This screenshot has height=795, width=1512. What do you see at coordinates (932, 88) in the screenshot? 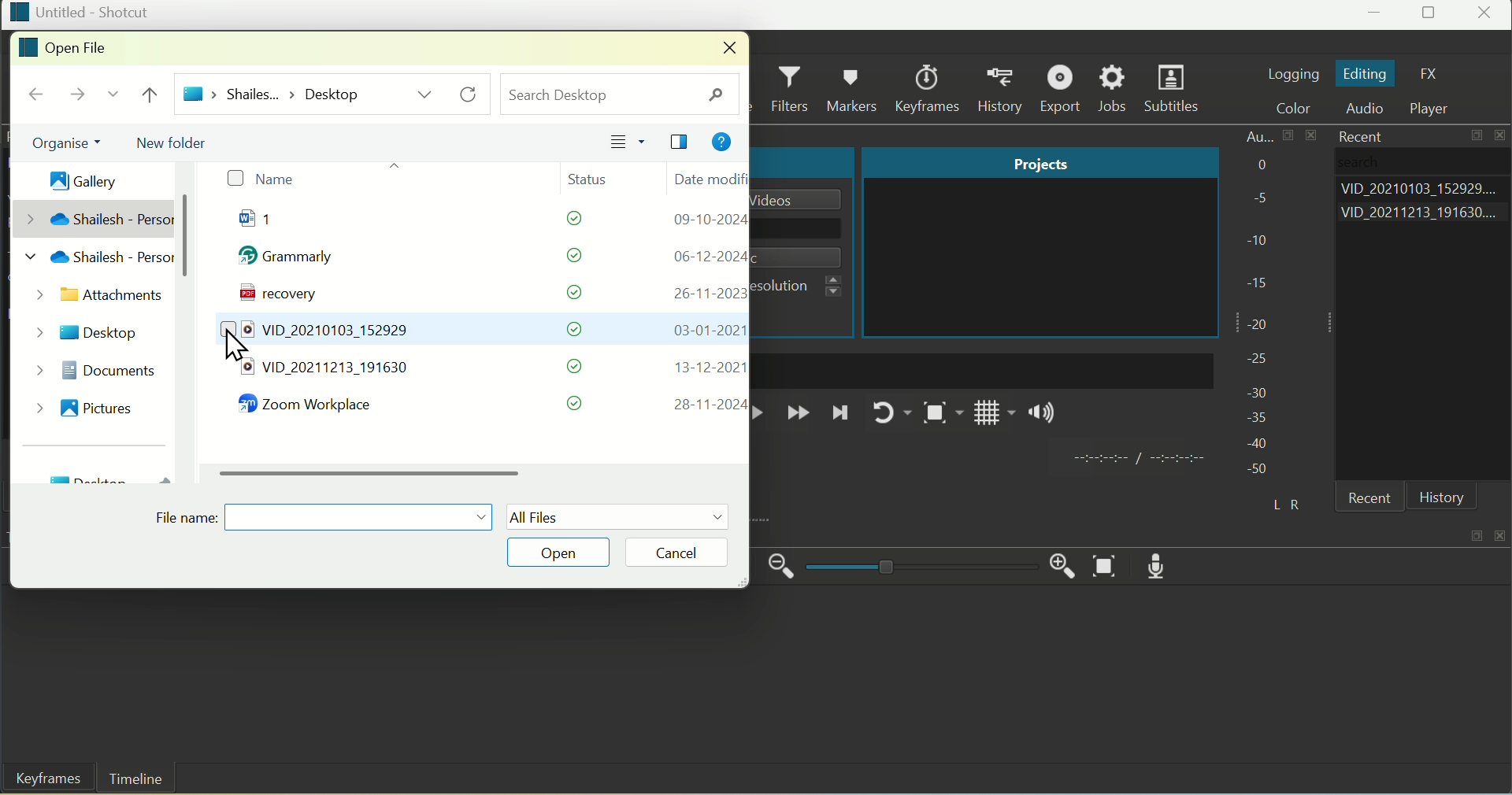
I see `Keyframes` at bounding box center [932, 88].